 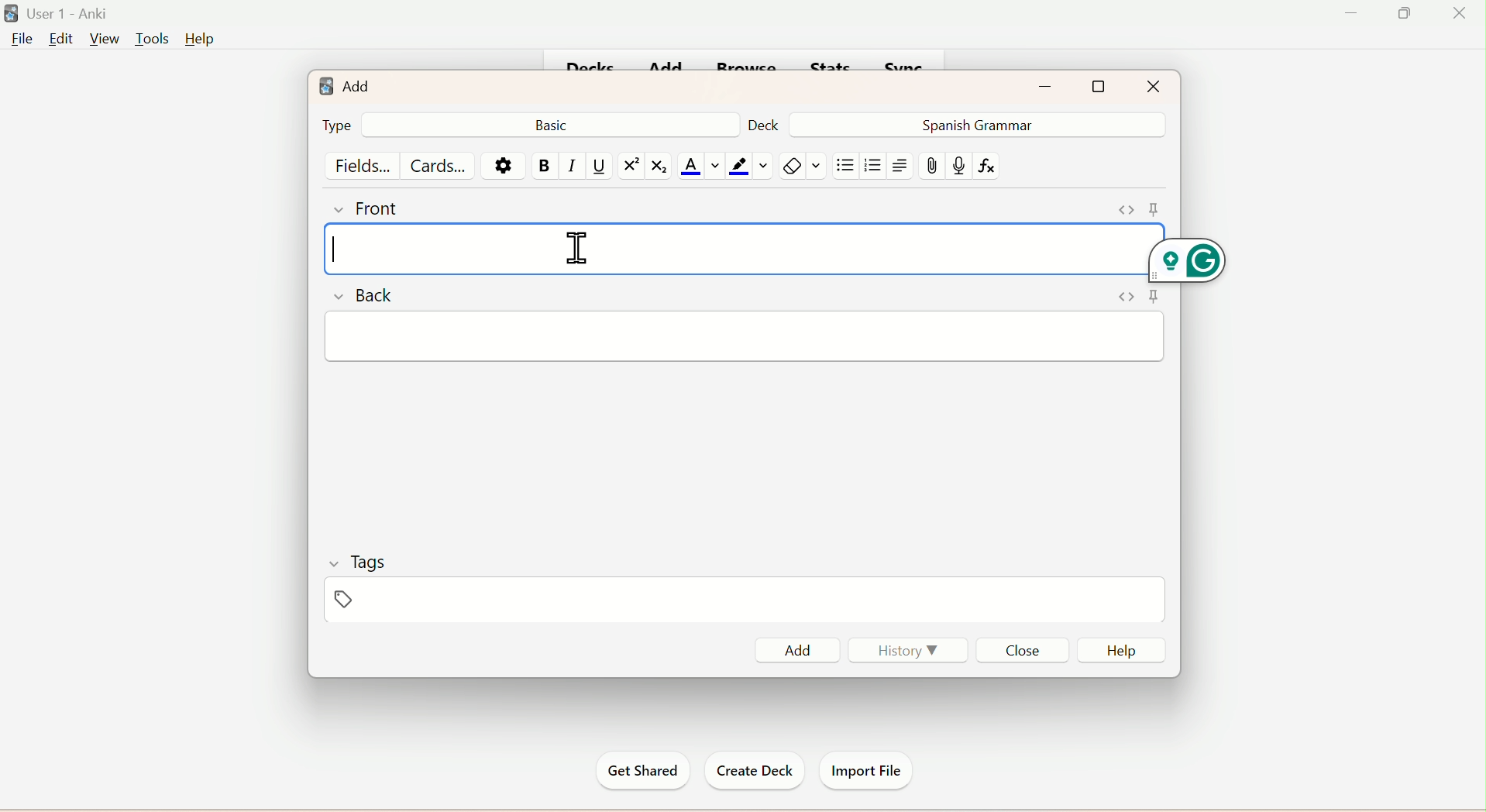 What do you see at coordinates (659, 167) in the screenshot?
I see `Subscript` at bounding box center [659, 167].